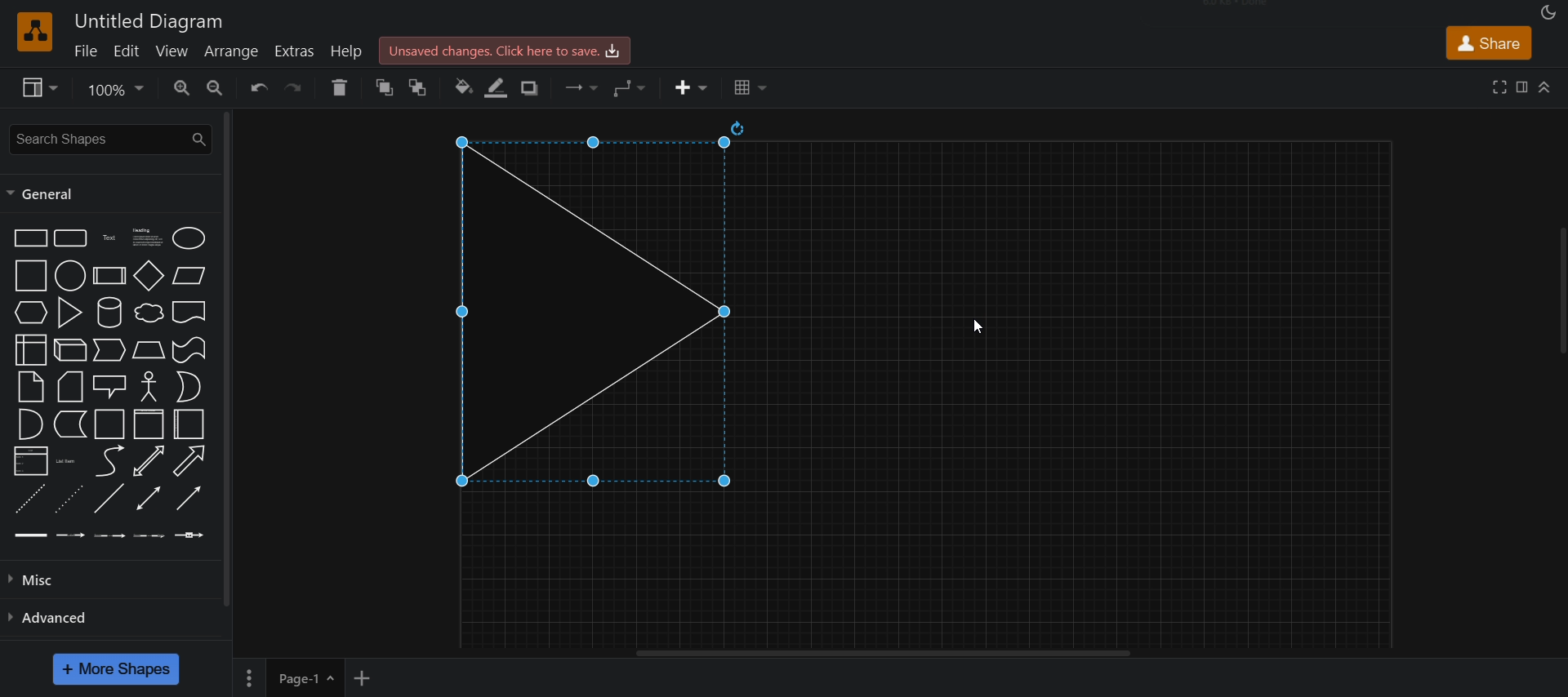 Image resolution: width=1568 pixels, height=697 pixels. Describe the element at coordinates (109, 497) in the screenshot. I see `line` at that location.